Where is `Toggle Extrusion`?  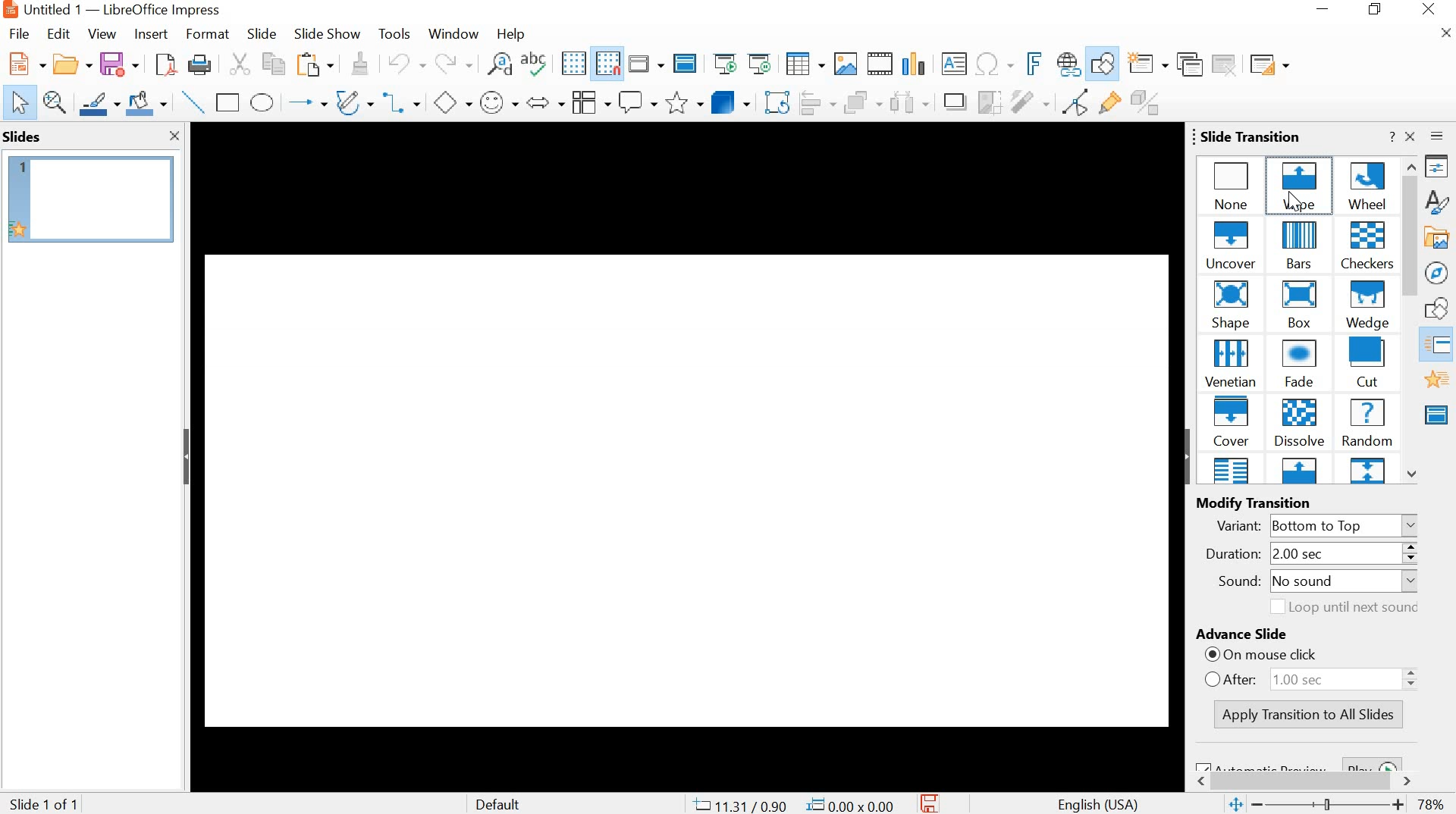 Toggle Extrusion is located at coordinates (1150, 102).